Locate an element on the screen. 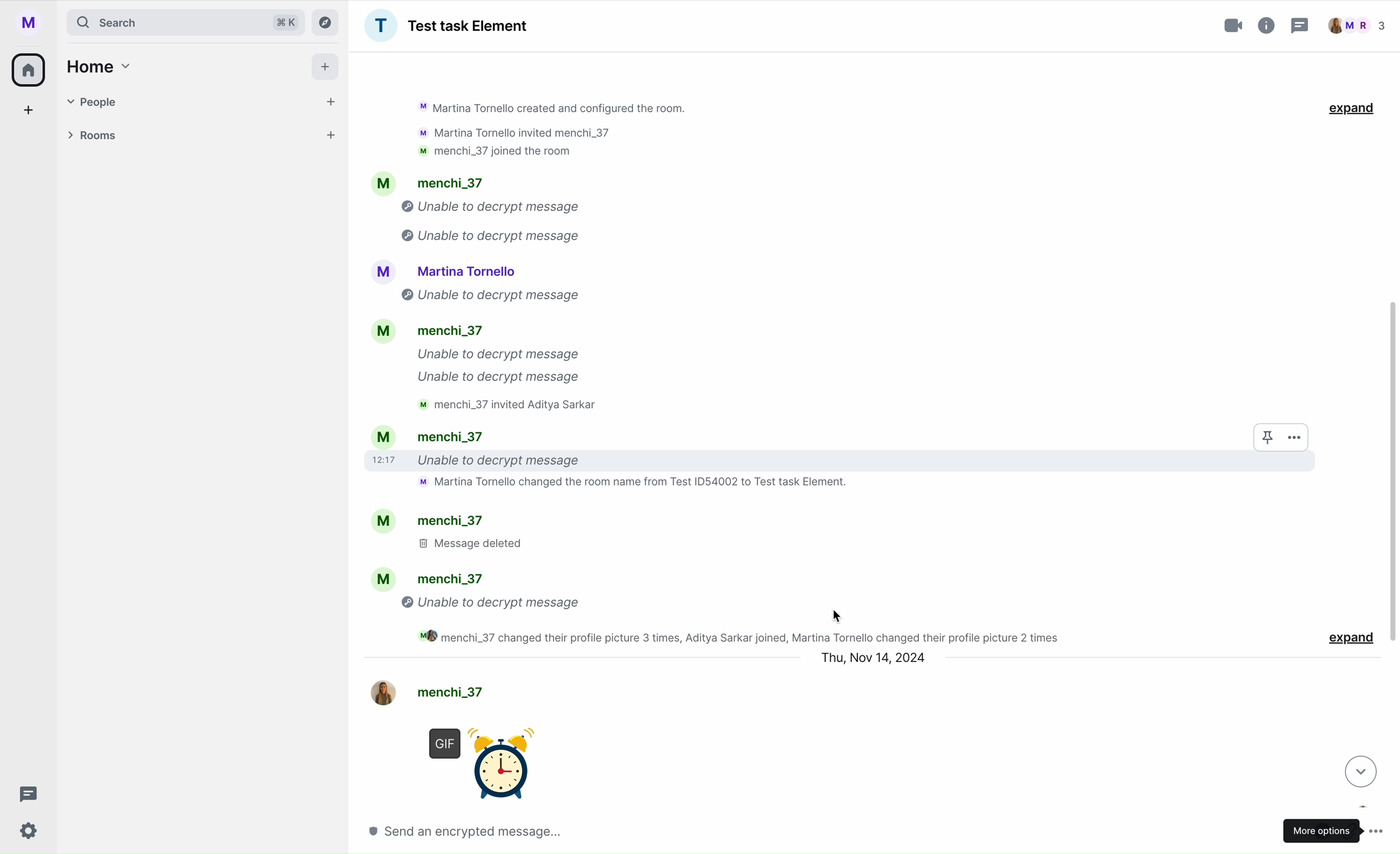 This screenshot has width=1400, height=854. people is located at coordinates (1355, 26).